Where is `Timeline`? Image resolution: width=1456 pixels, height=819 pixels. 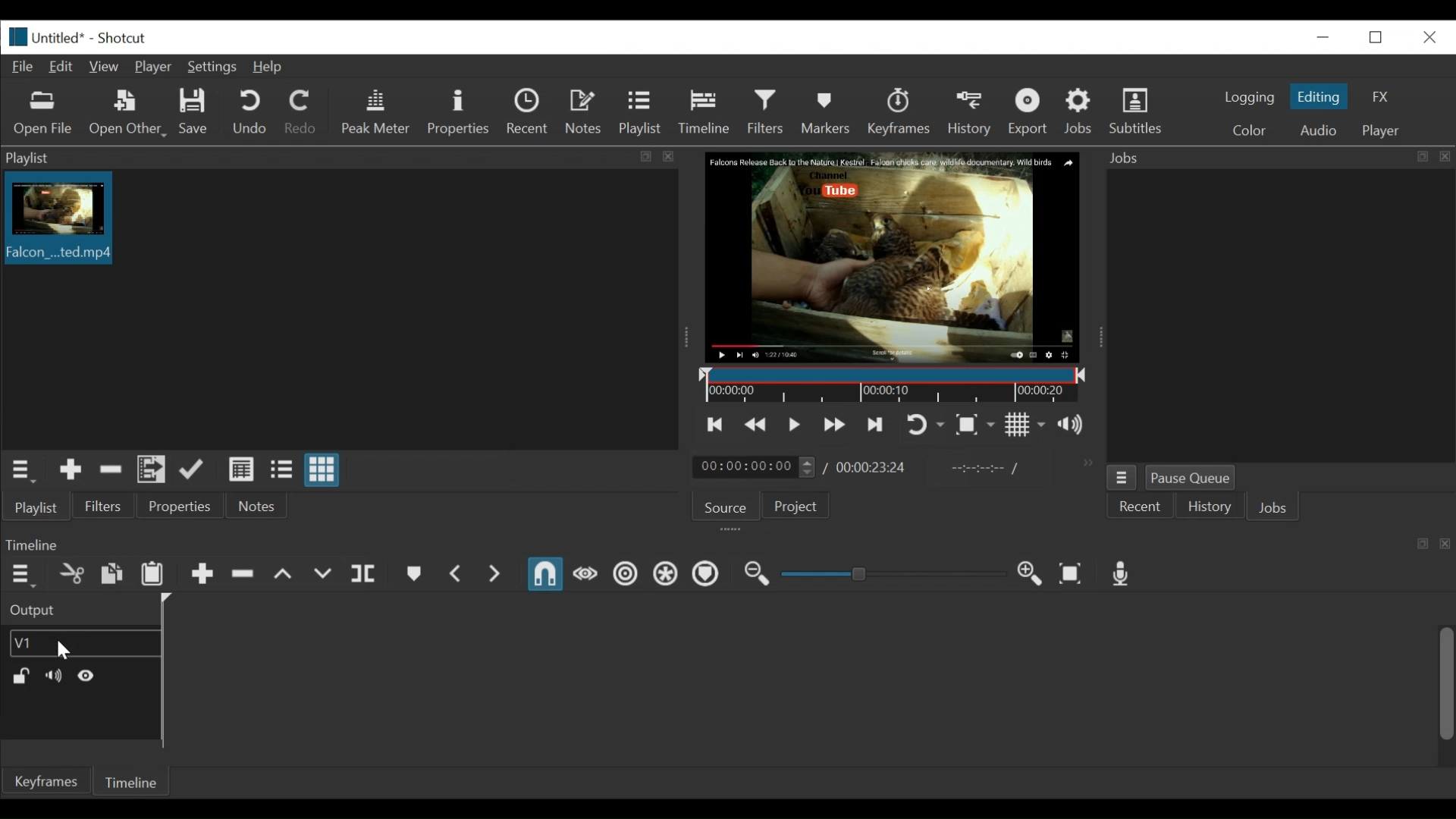
Timeline is located at coordinates (794, 679).